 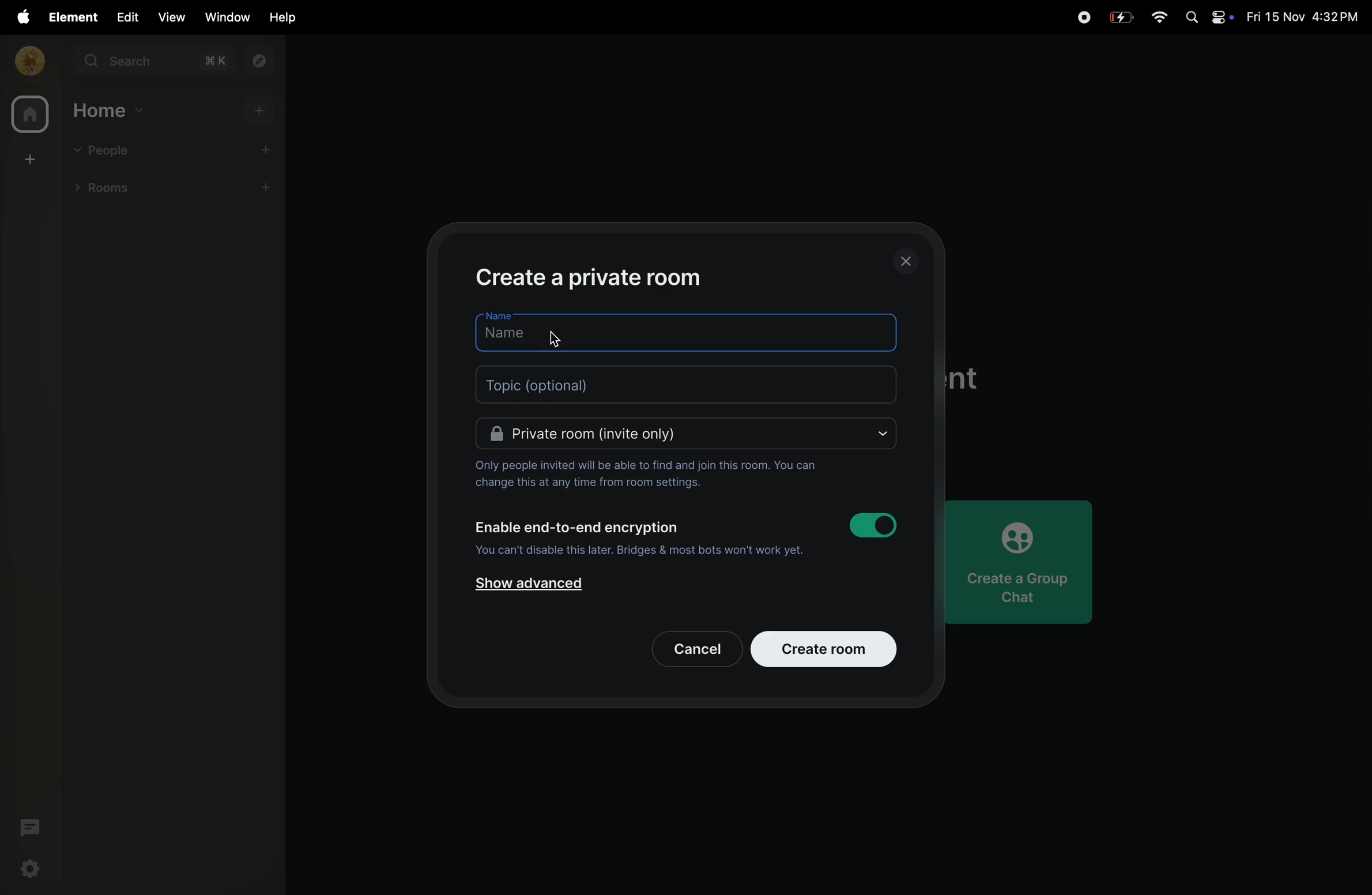 I want to click on ettings, so click(x=31, y=870).